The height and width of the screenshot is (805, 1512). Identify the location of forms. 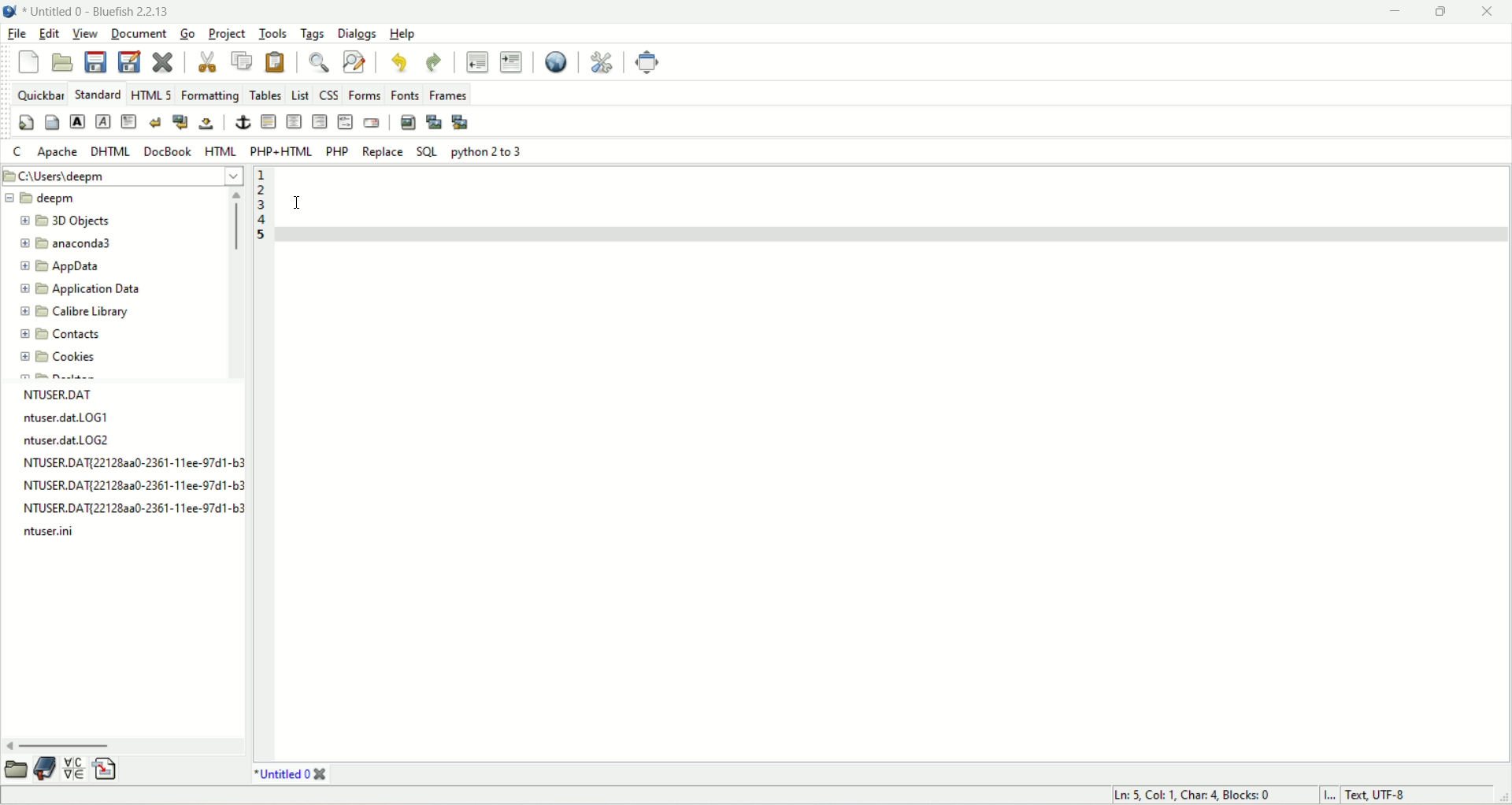
(364, 95).